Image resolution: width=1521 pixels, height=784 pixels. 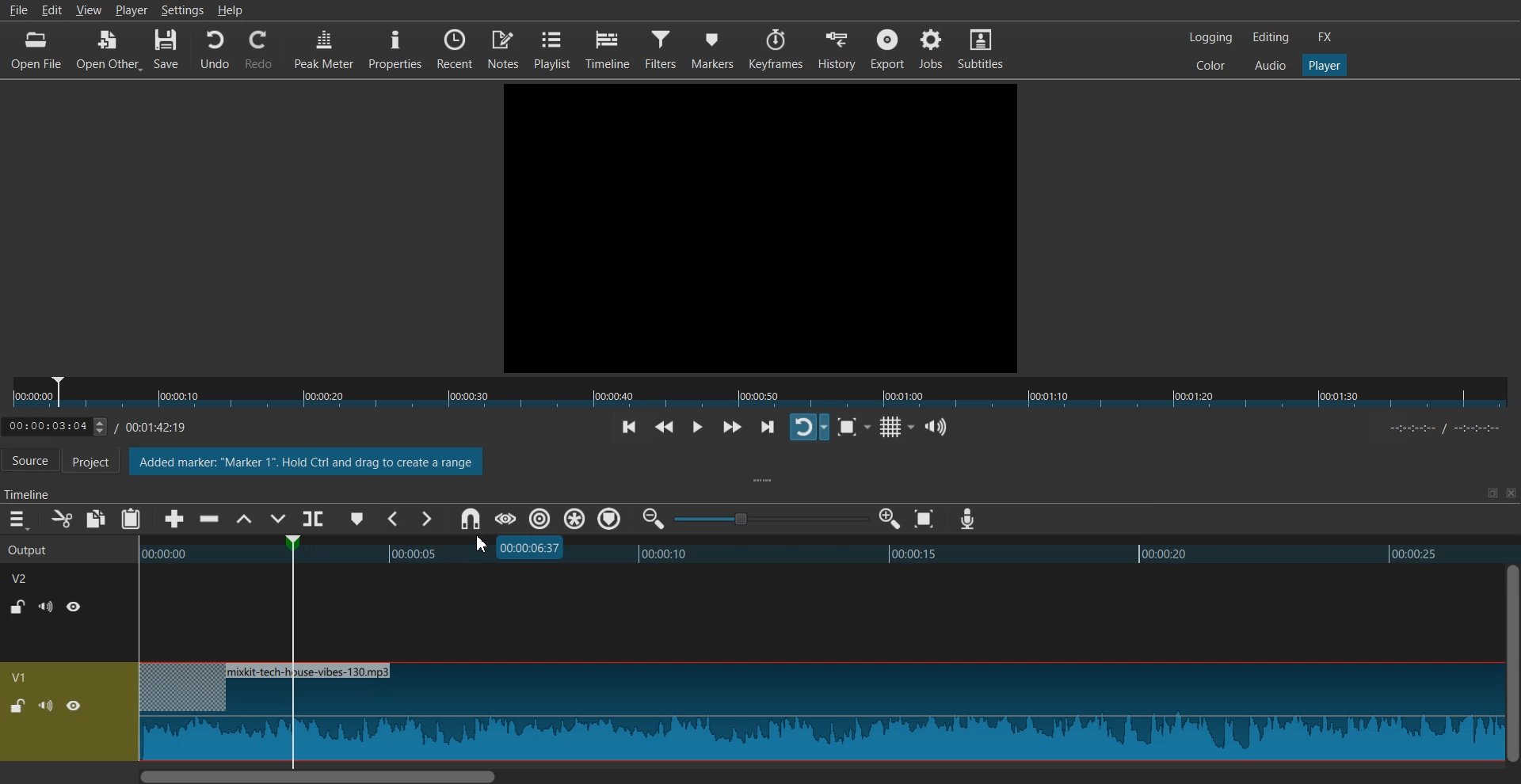 I want to click on Source, so click(x=30, y=462).